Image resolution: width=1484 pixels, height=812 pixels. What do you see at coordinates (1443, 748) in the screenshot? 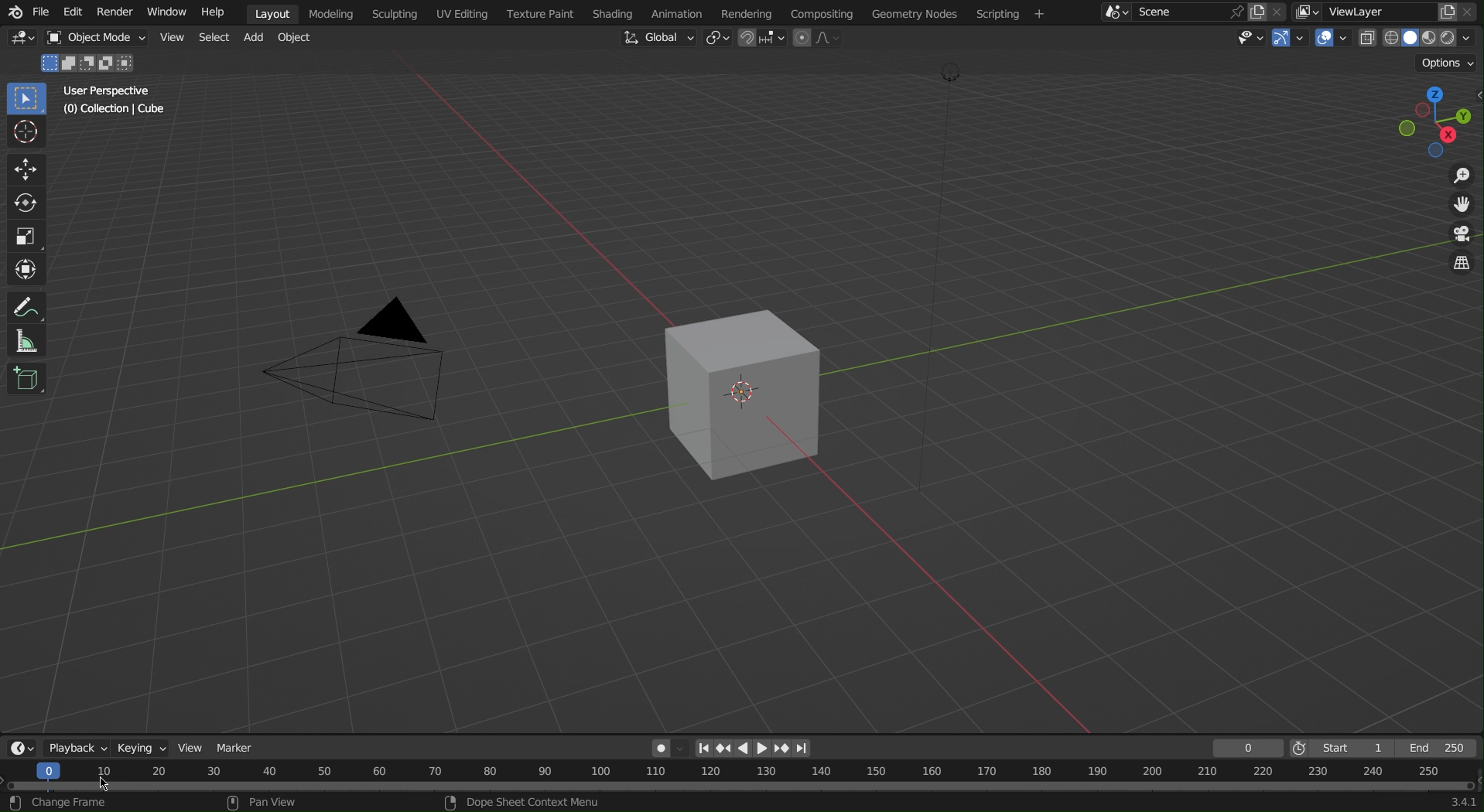
I see `End` at bounding box center [1443, 748].